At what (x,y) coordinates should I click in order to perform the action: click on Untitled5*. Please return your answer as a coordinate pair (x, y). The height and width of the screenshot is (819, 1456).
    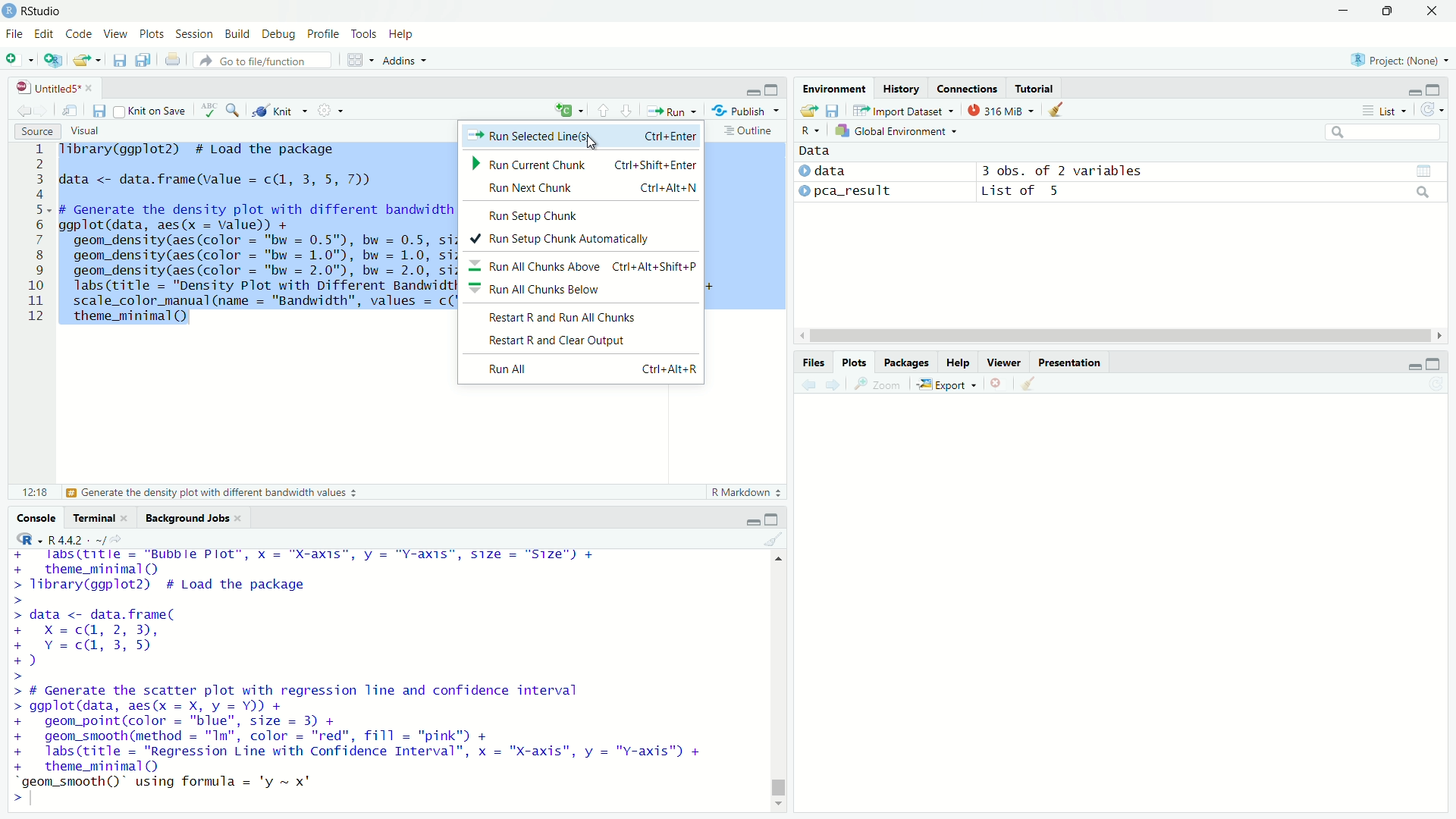
    Looking at the image, I should click on (48, 87).